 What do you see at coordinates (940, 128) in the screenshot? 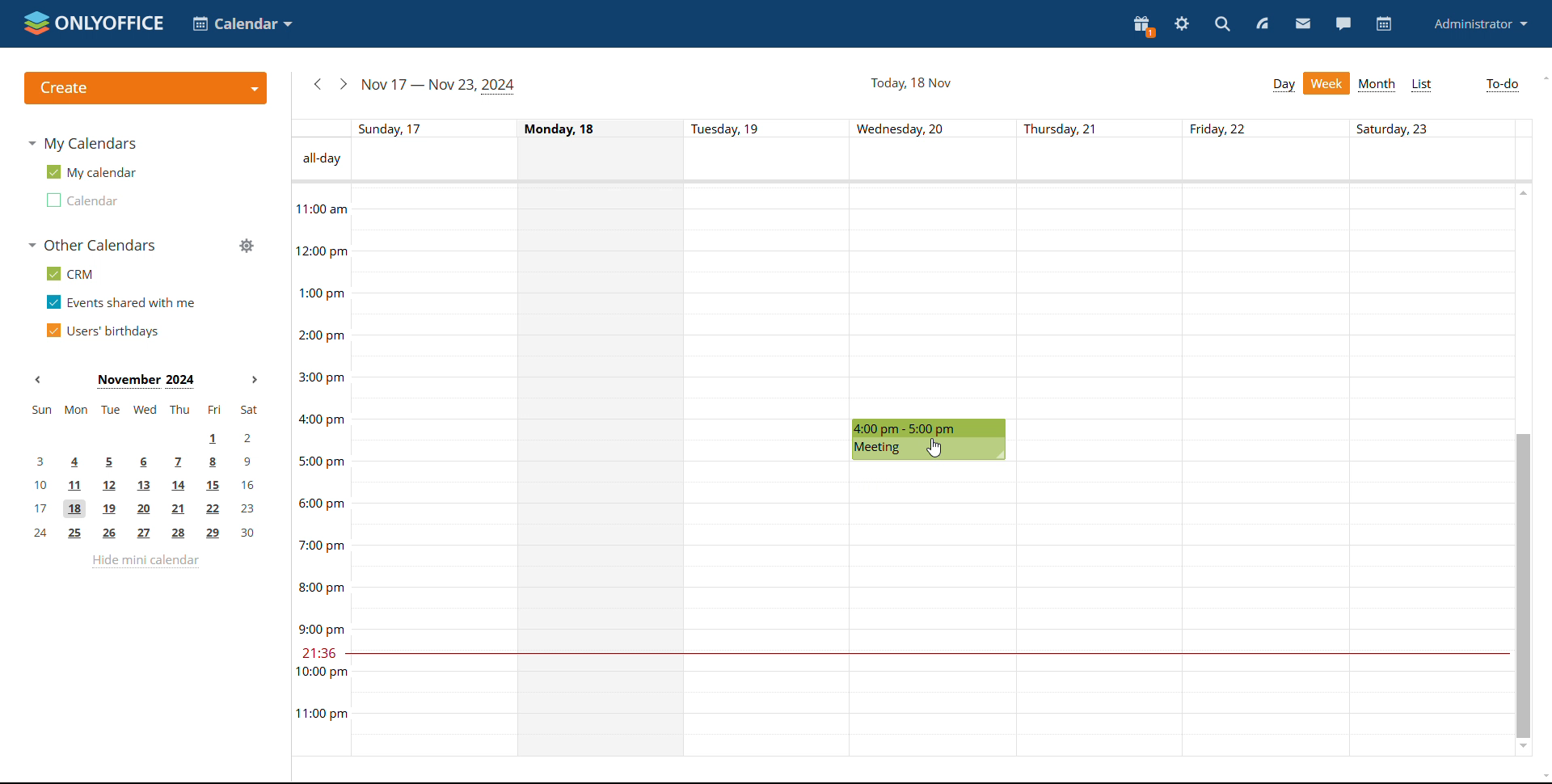
I see `dates of a week` at bounding box center [940, 128].